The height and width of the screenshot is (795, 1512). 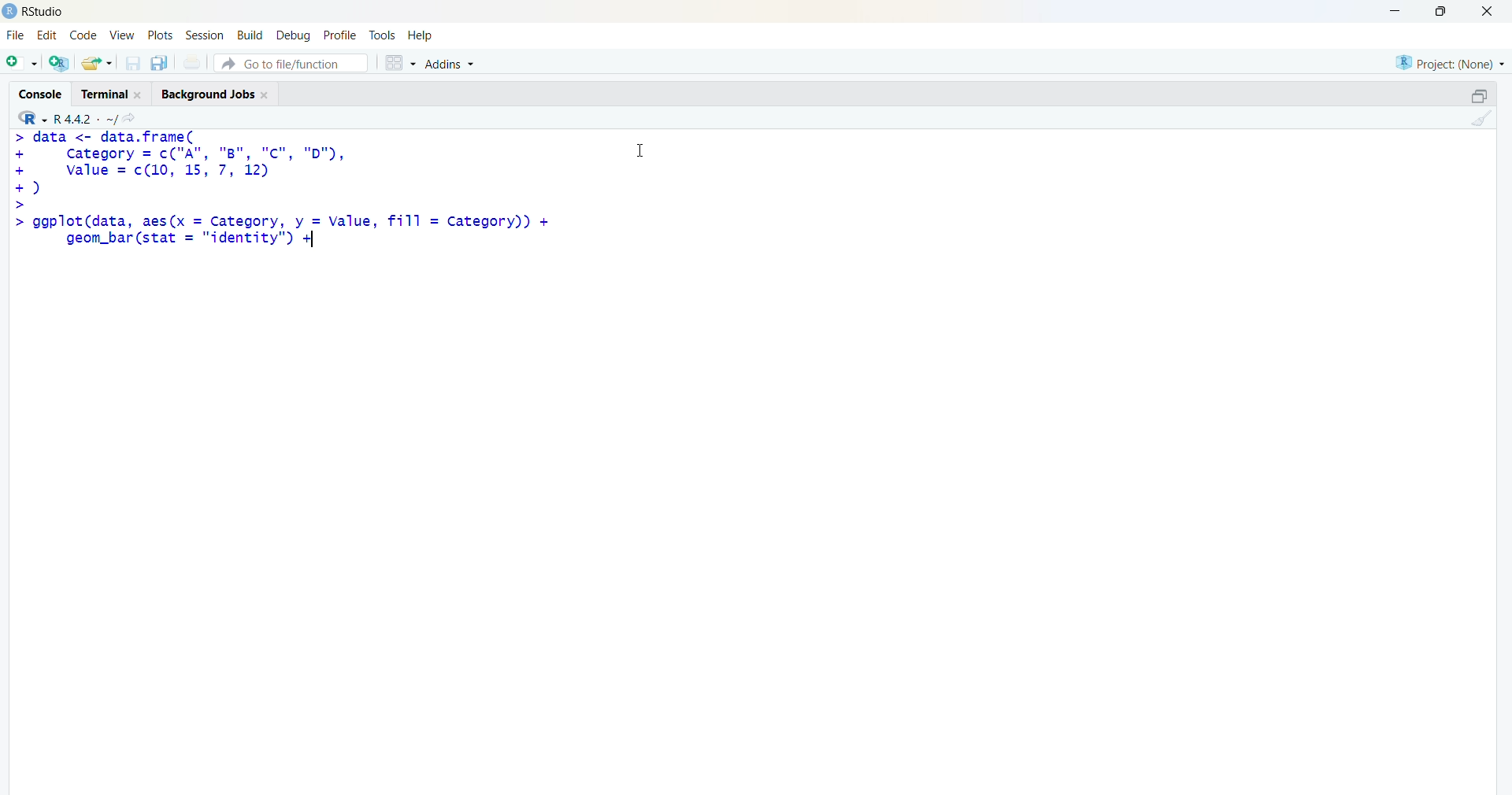 I want to click on go to directiory, so click(x=133, y=118).